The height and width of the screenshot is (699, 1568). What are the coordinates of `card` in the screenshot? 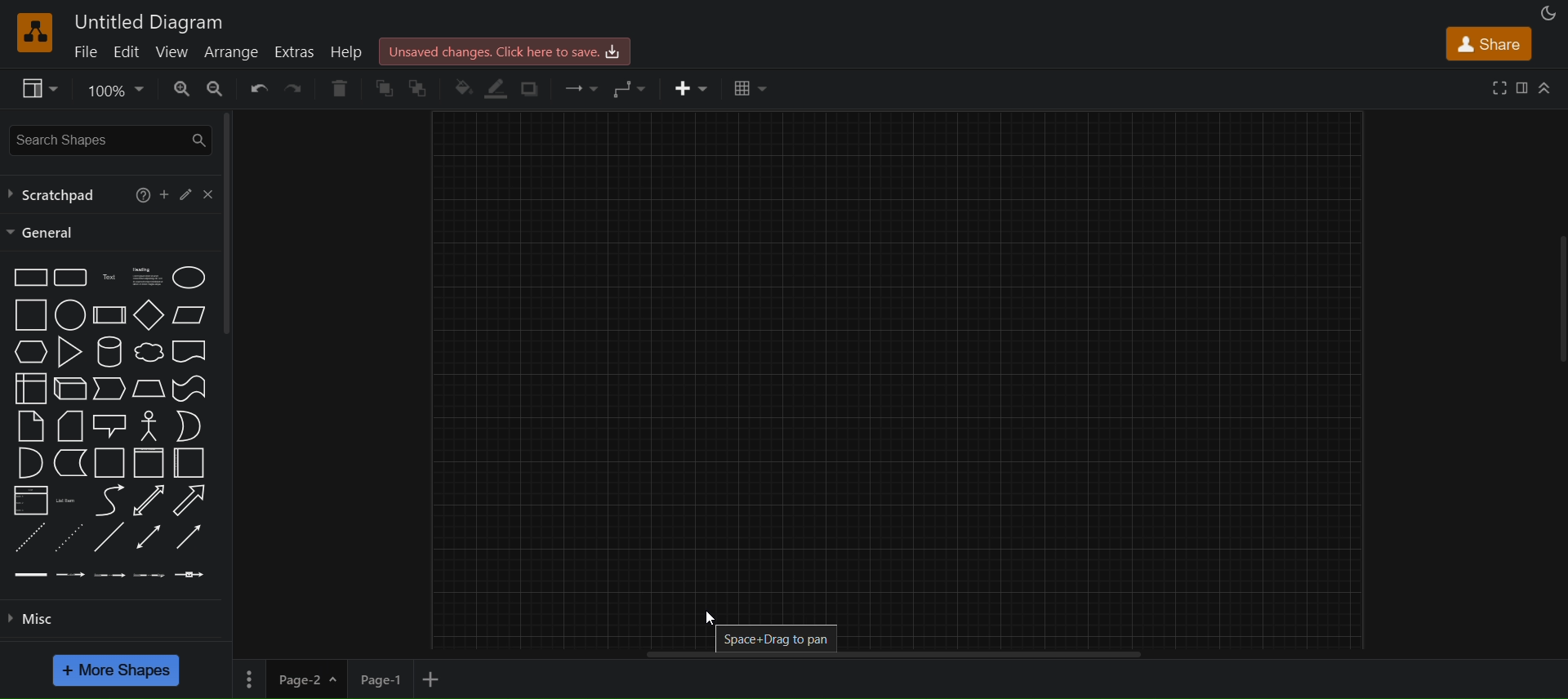 It's located at (69, 425).